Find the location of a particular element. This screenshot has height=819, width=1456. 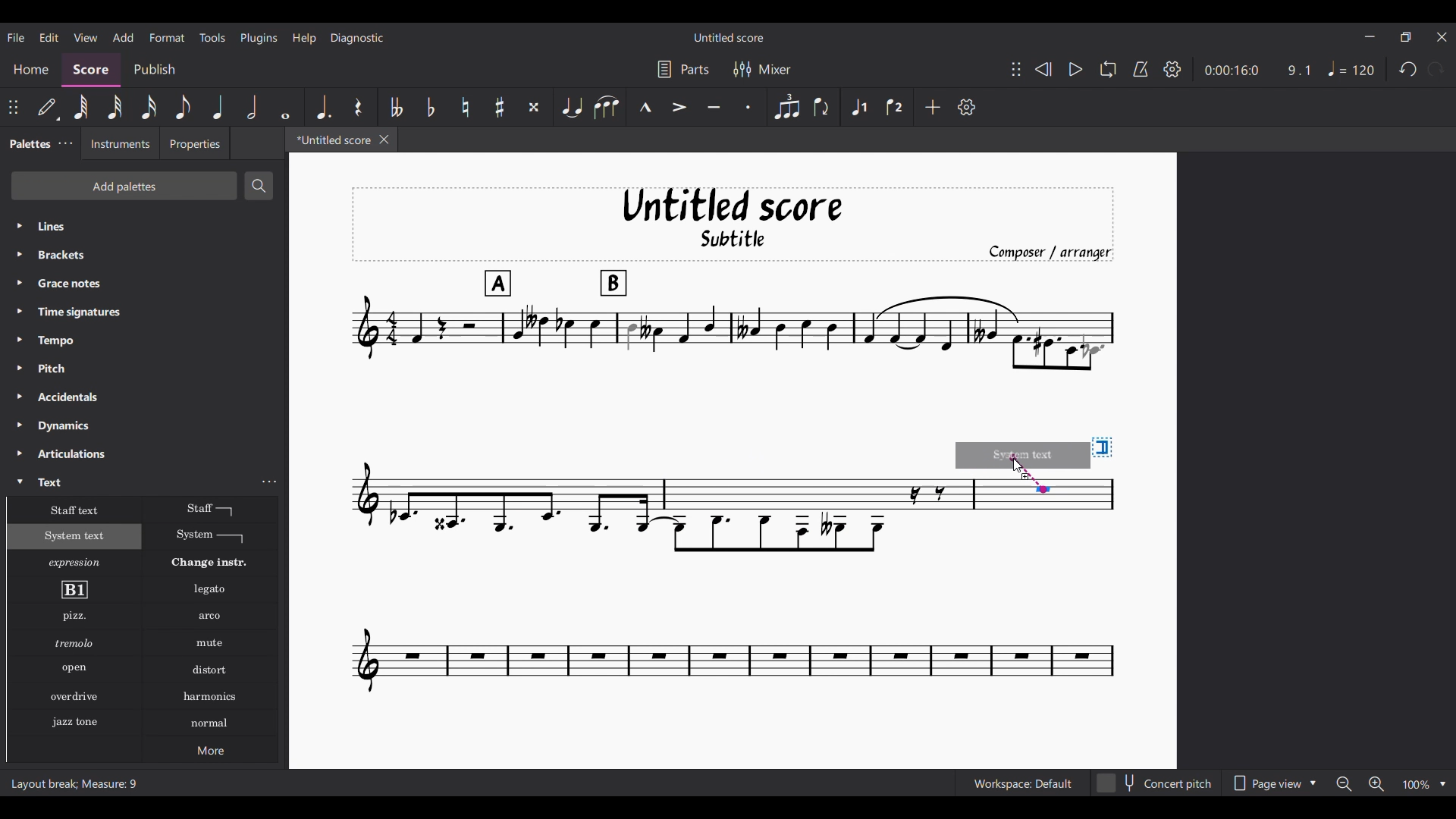

Accidentals is located at coordinates (143, 397).